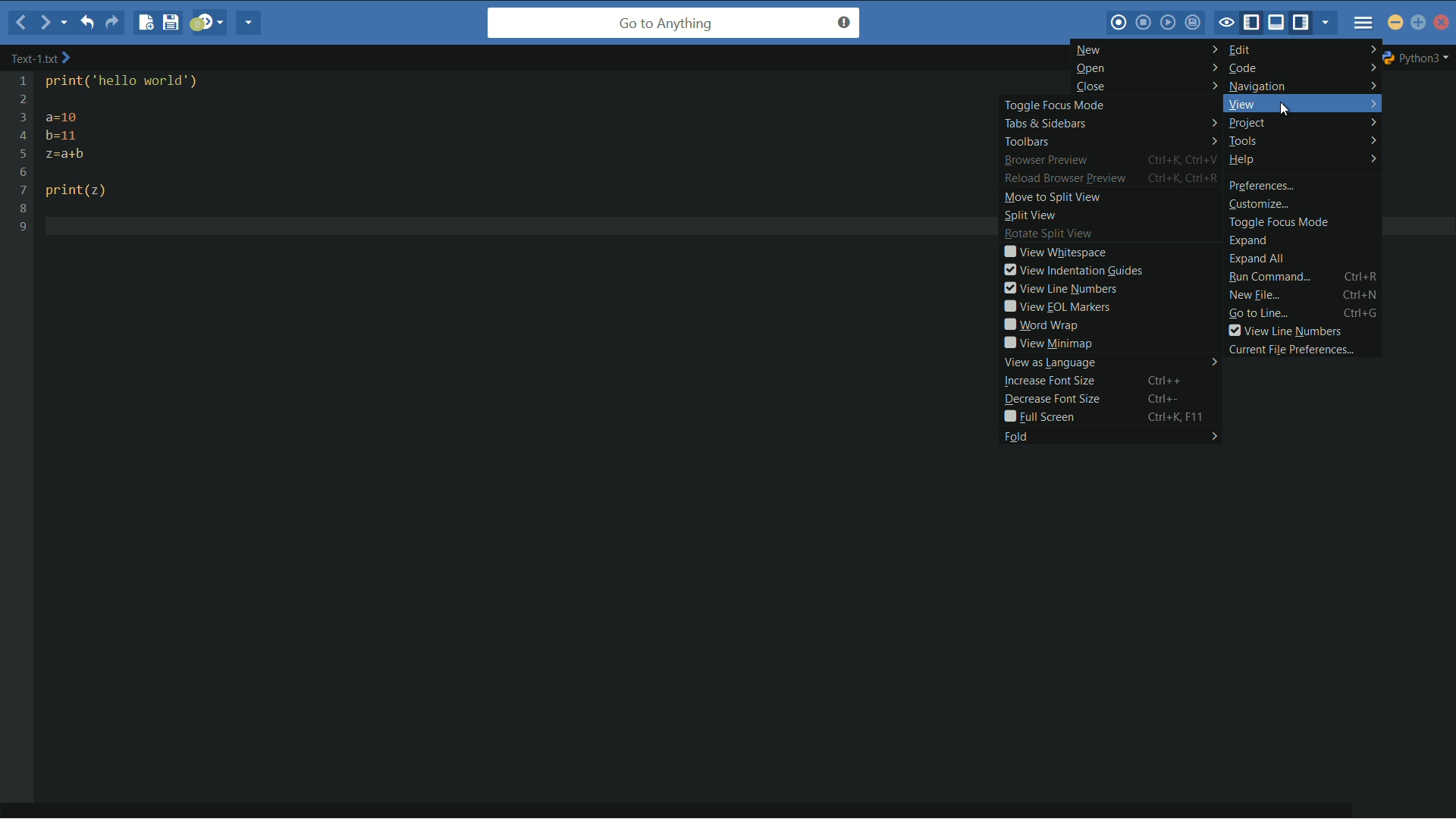 The width and height of the screenshot is (1456, 819). What do you see at coordinates (1174, 380) in the screenshot?
I see `Ctrl++` at bounding box center [1174, 380].